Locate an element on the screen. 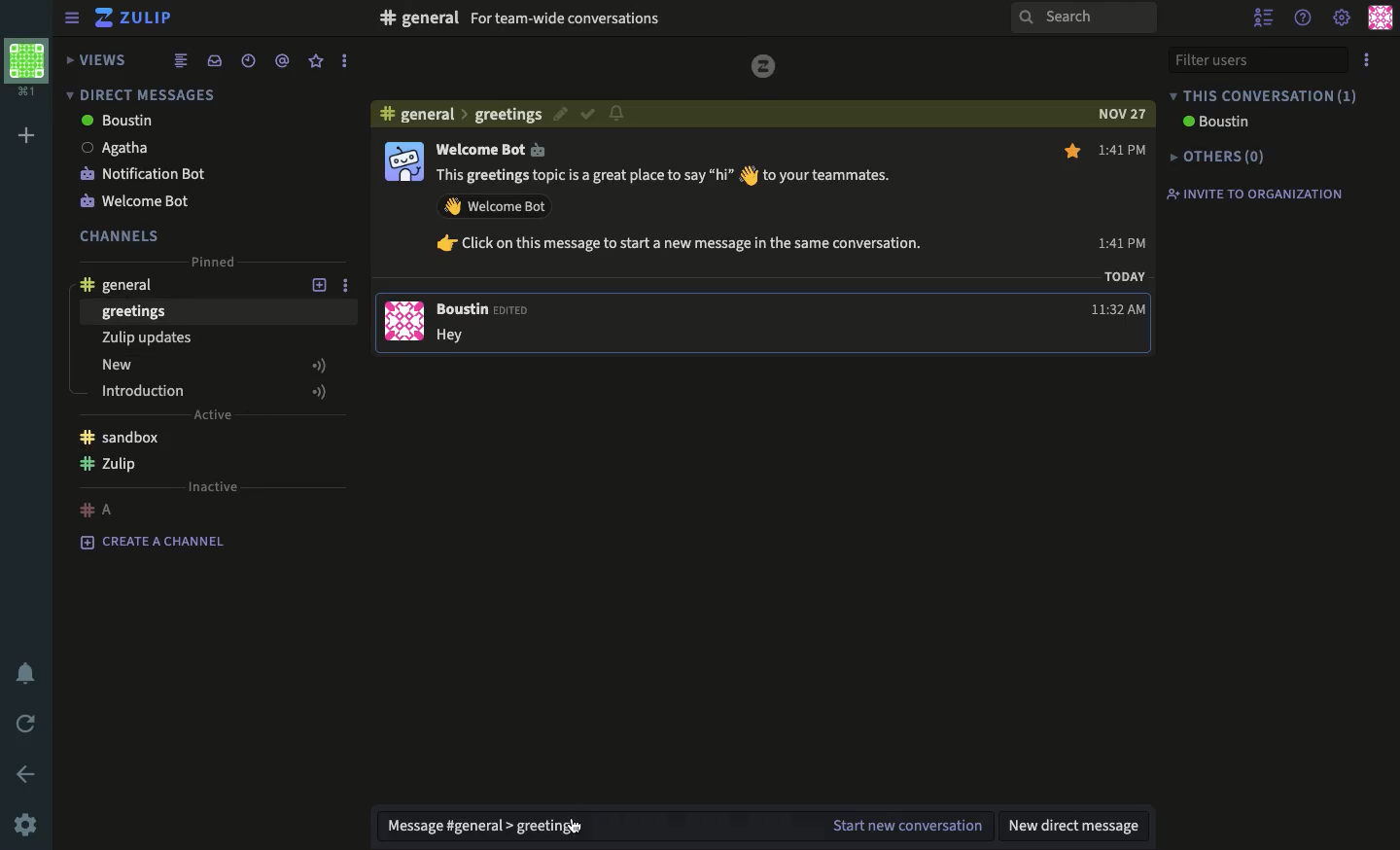 The height and width of the screenshot is (850, 1400). This greetings topic is a great place to say “hi” § to your teammates.
AY Welcome Bot
fr Click on this message to start a new message in the same conversation. is located at coordinates (684, 212).